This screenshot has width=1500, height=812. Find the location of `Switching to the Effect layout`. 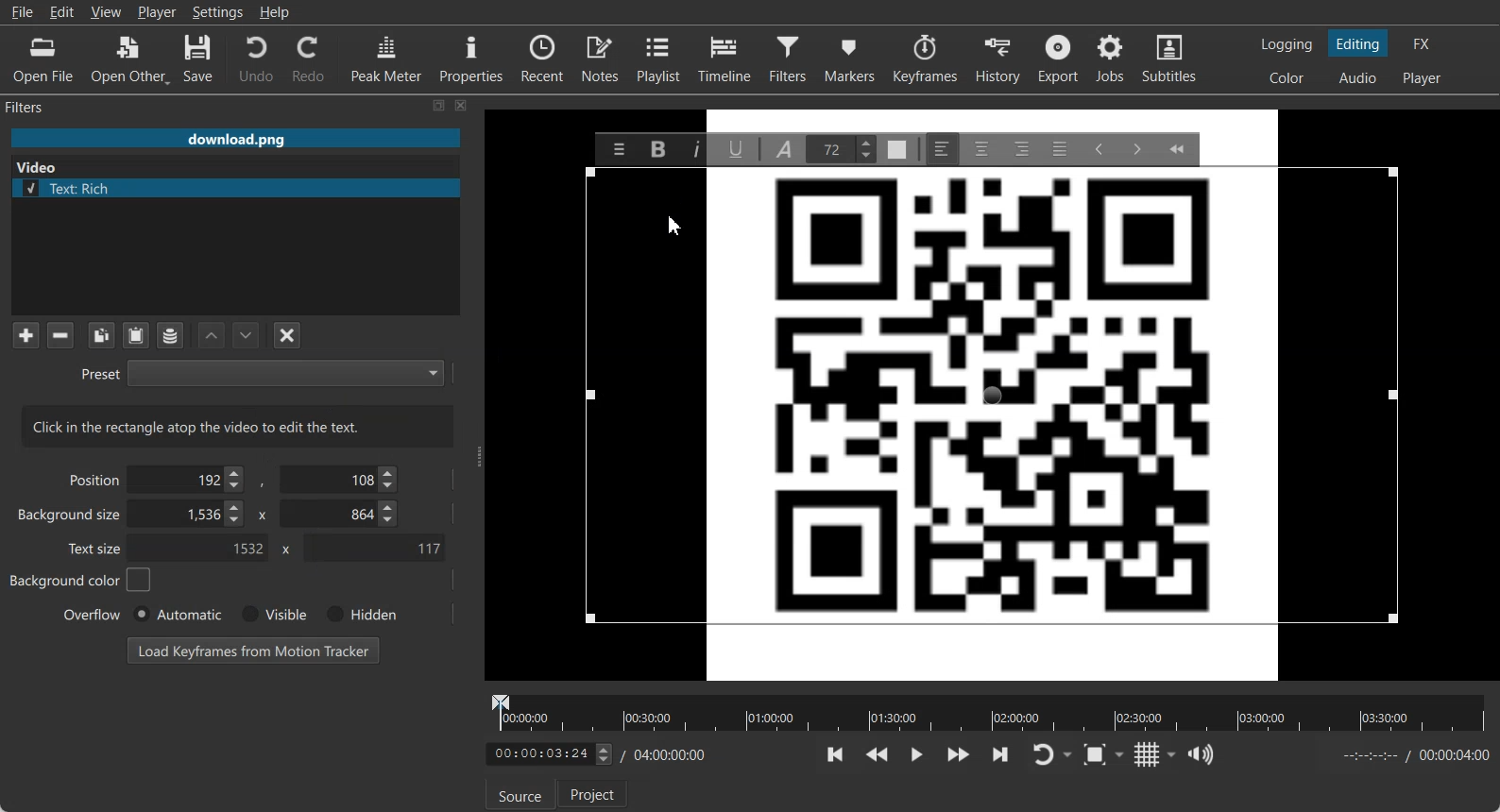

Switching to the Effect layout is located at coordinates (1423, 43).